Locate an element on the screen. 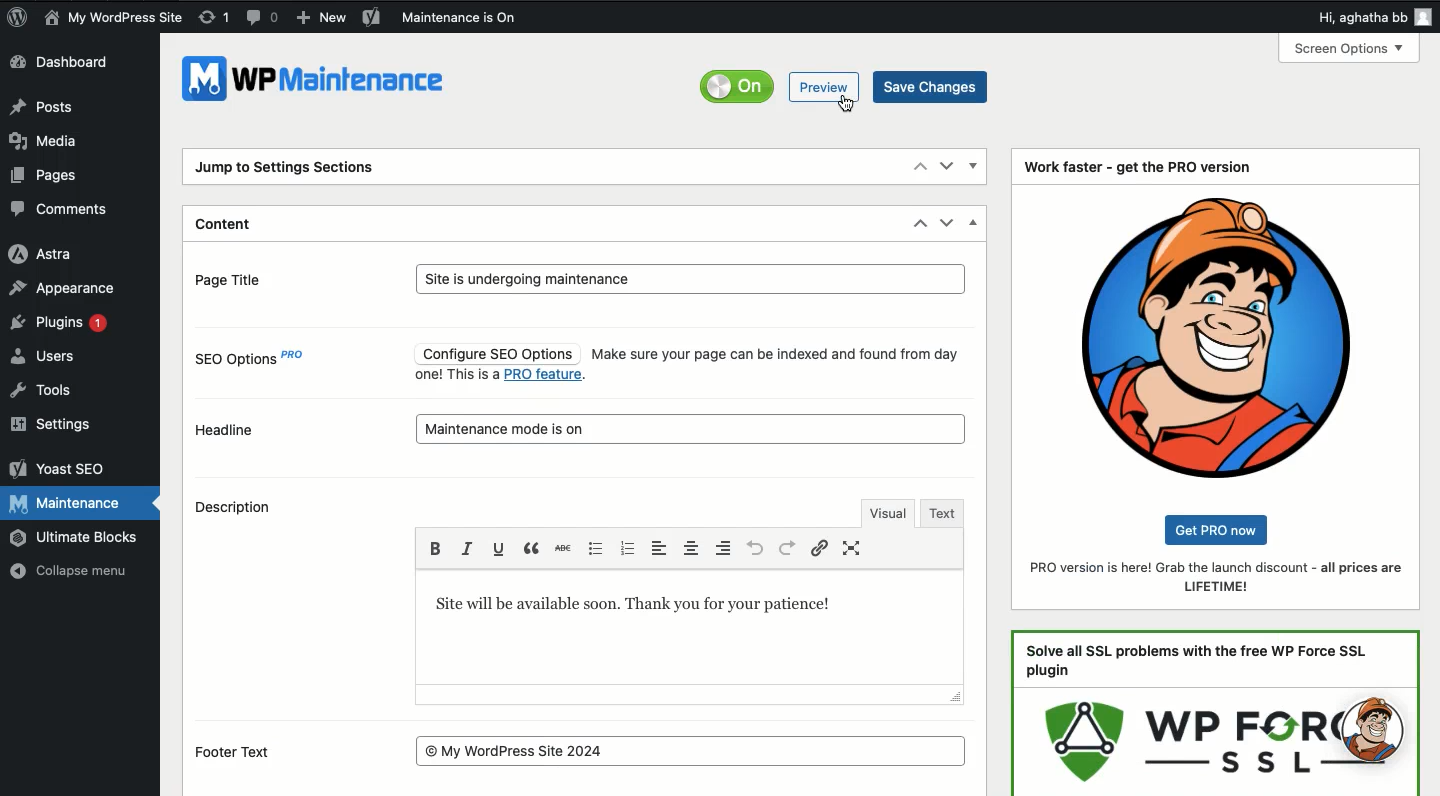 The width and height of the screenshot is (1440, 796). cursor is located at coordinates (851, 103).